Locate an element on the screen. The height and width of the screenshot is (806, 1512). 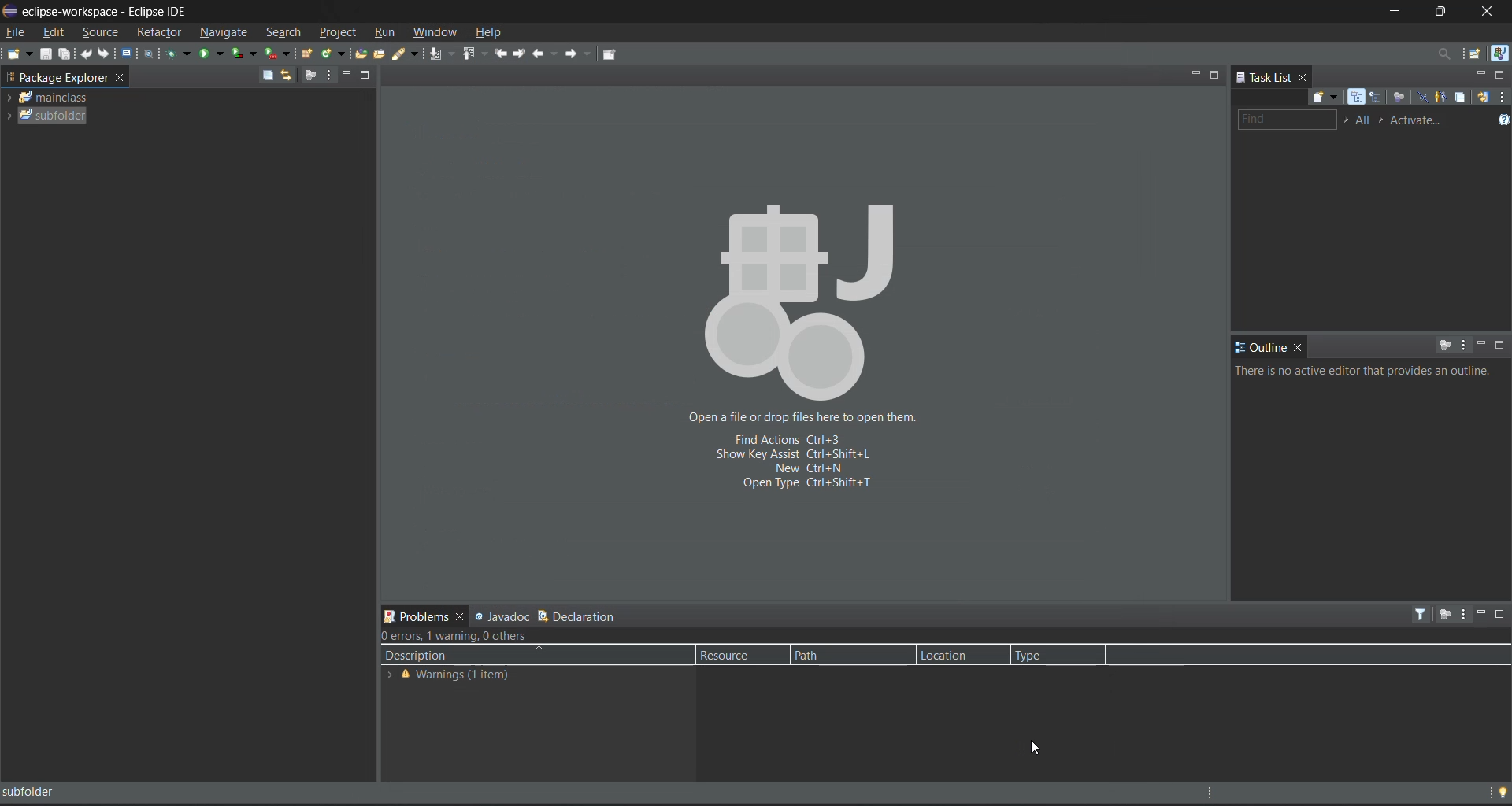
new java class is located at coordinates (335, 53).